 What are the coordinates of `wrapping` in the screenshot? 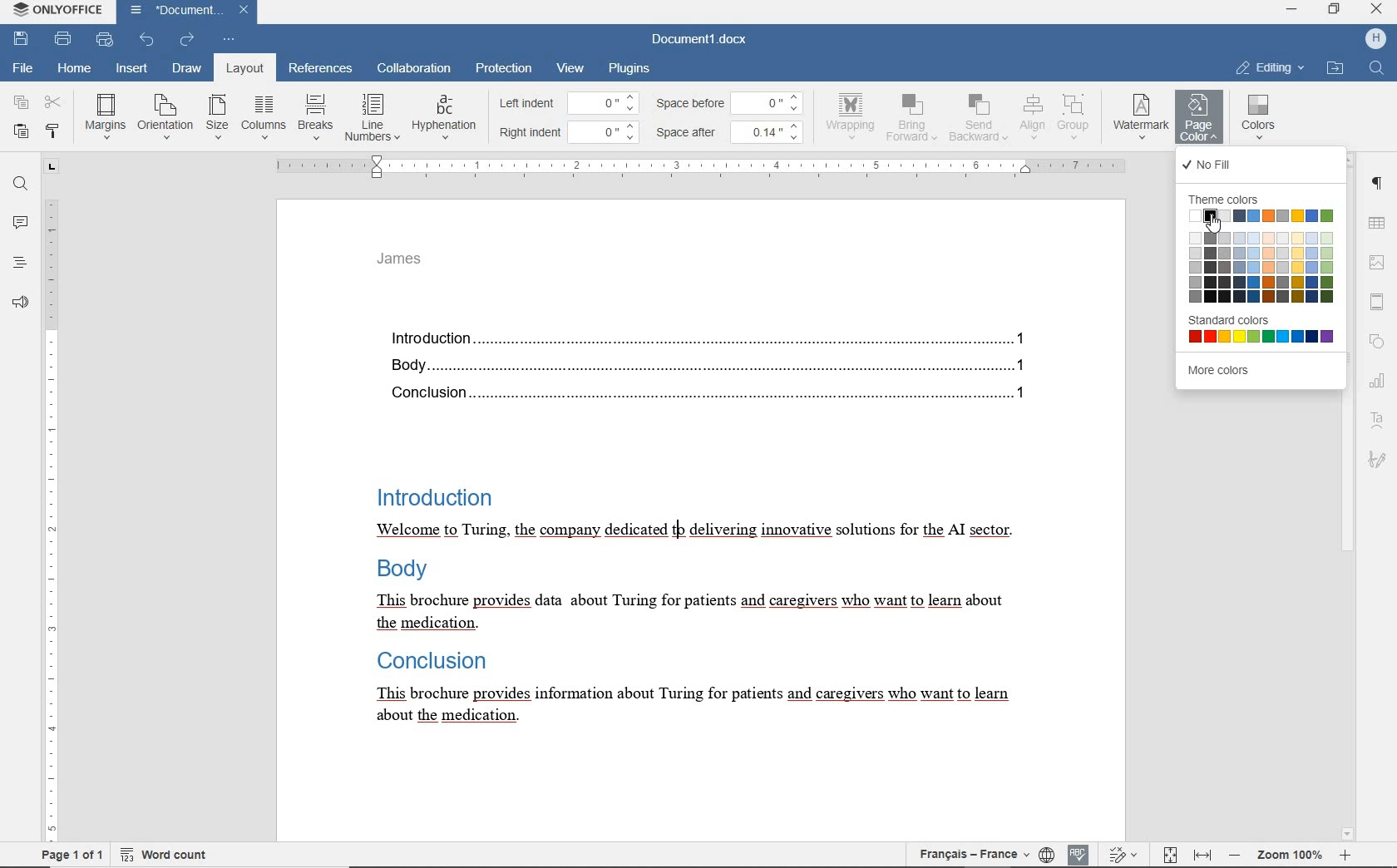 It's located at (852, 117).